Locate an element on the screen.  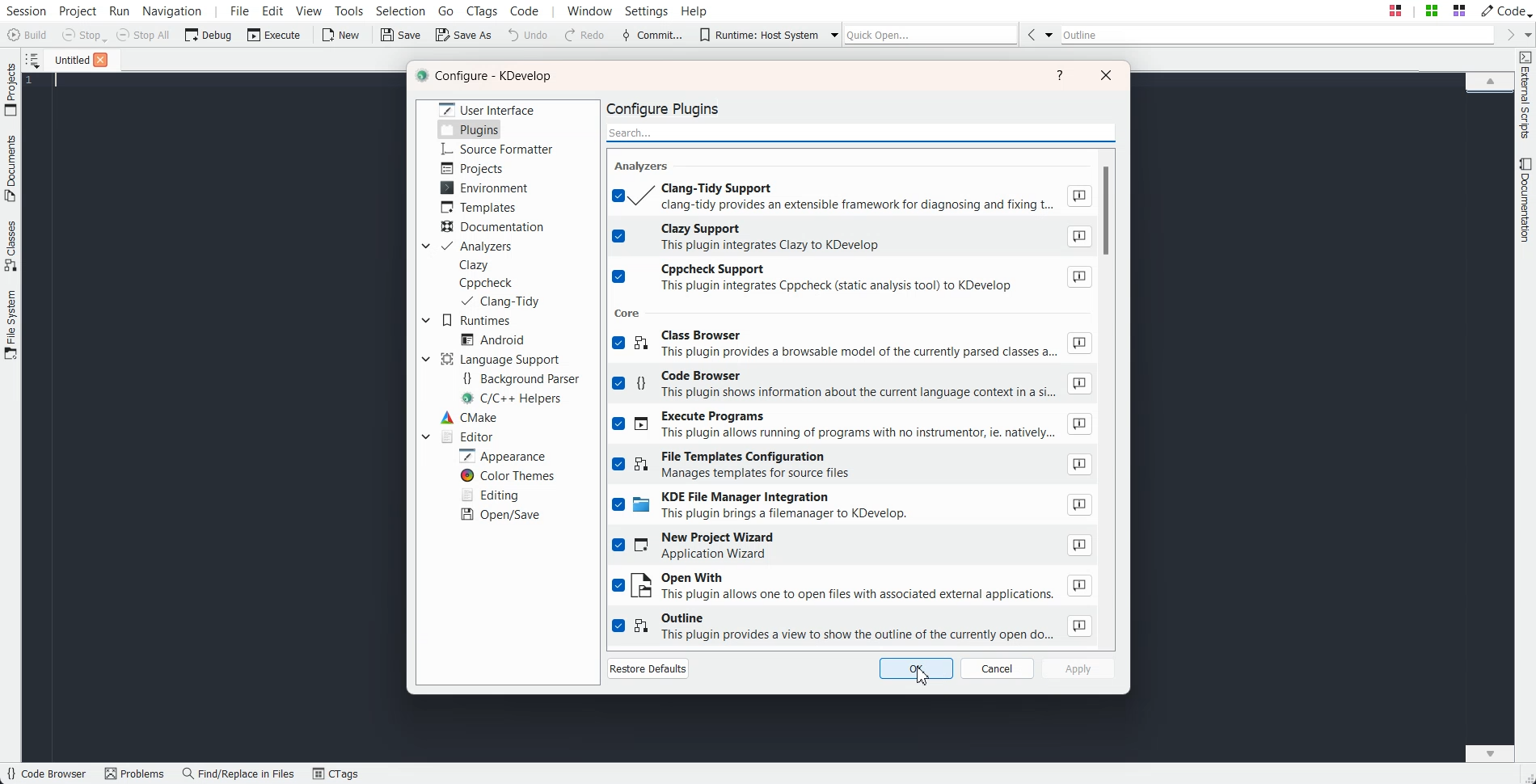
Editing is located at coordinates (489, 495).